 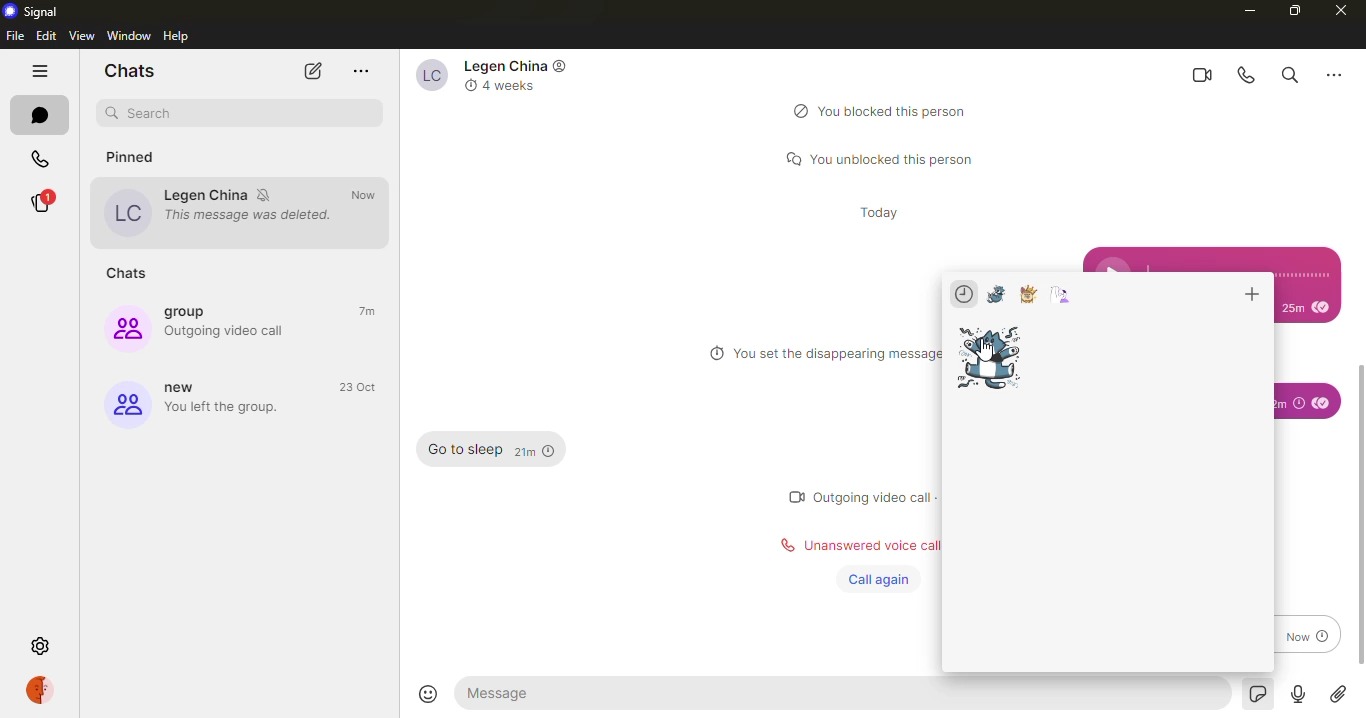 I want to click on message logo, so click(x=787, y=158).